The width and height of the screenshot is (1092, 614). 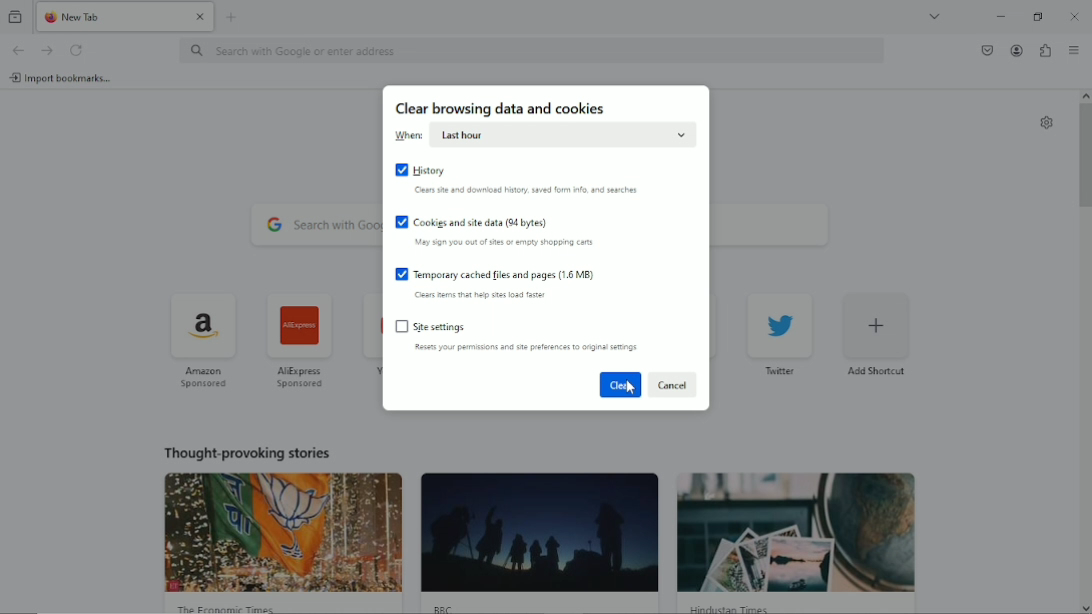 I want to click on Clear browsing data and cookies, so click(x=502, y=109).